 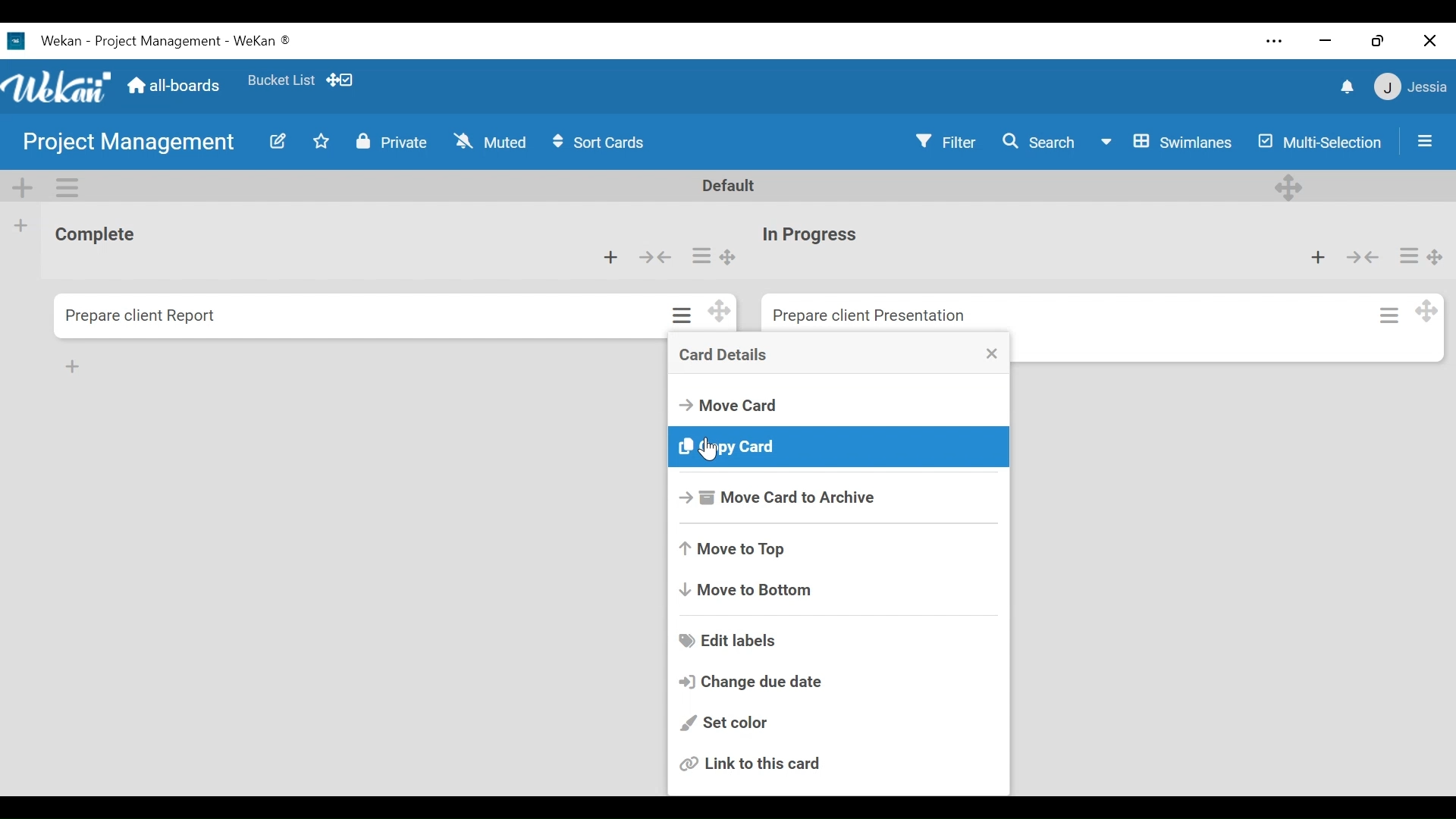 What do you see at coordinates (731, 185) in the screenshot?
I see `Default` at bounding box center [731, 185].